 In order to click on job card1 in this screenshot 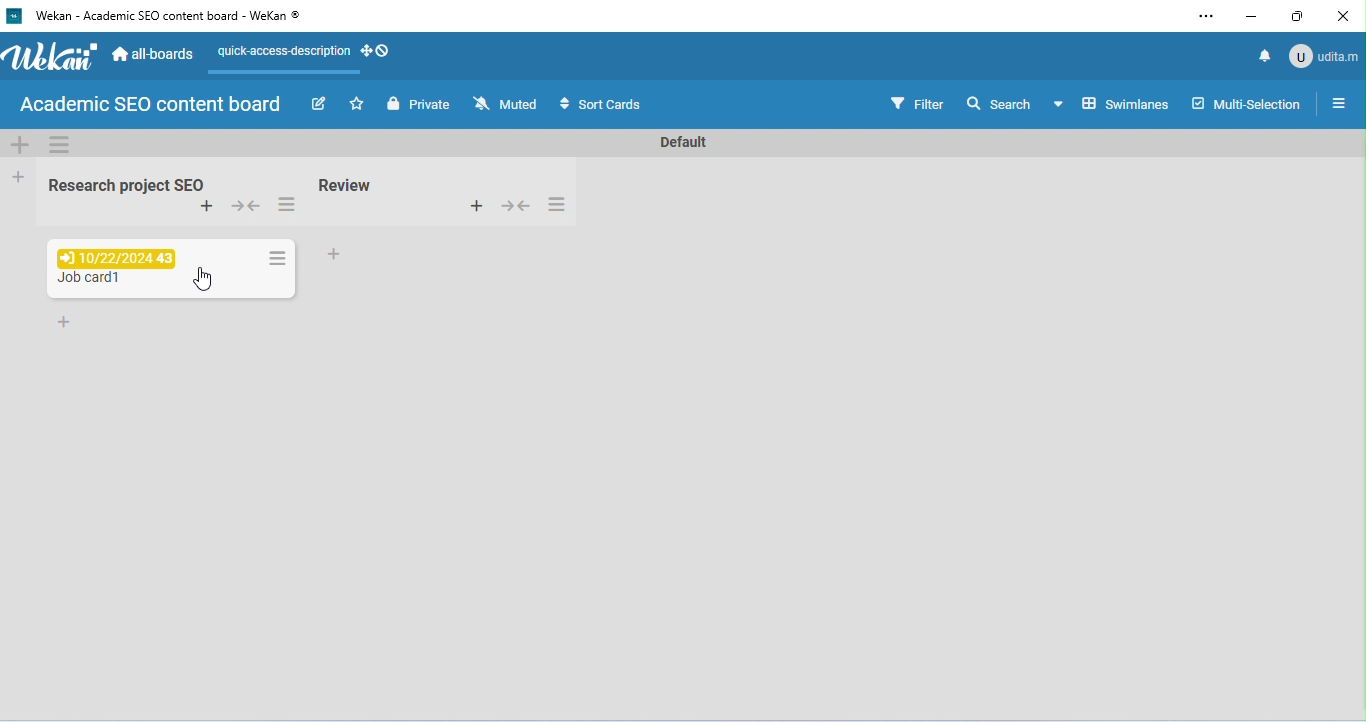, I will do `click(86, 280)`.